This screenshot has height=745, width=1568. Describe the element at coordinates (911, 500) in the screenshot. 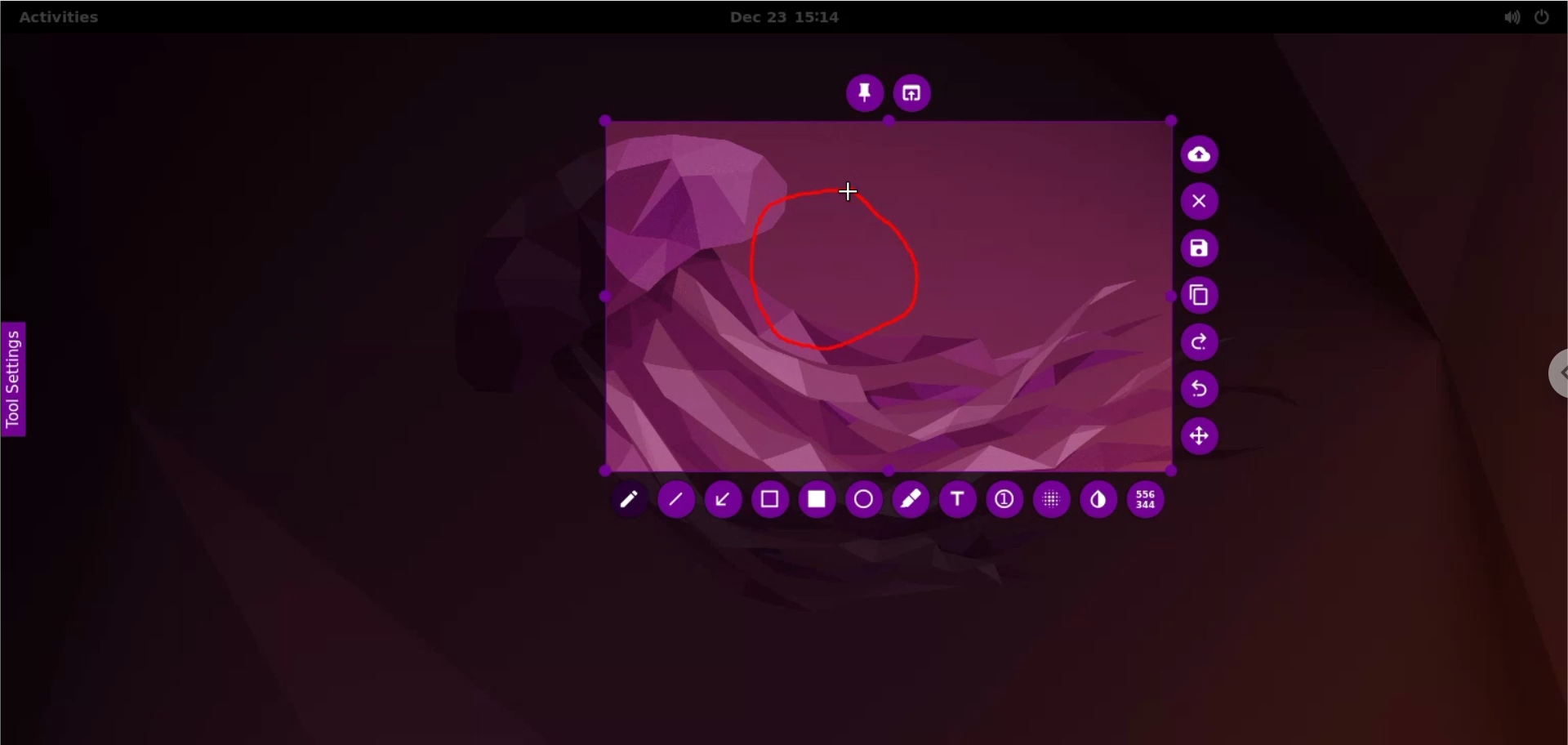

I see `marker tool` at that location.